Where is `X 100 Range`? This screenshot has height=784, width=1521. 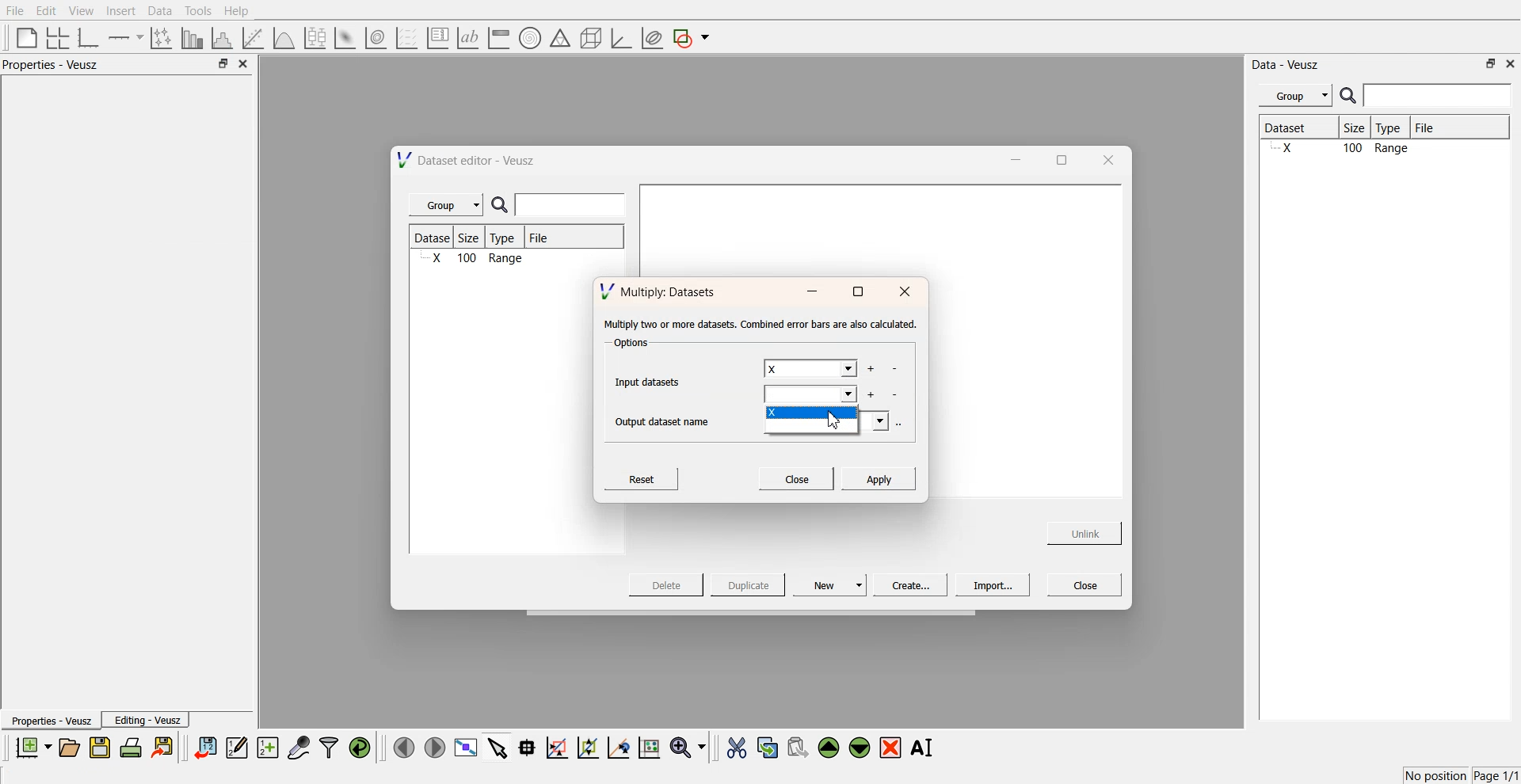
X 100 Range is located at coordinates (1382, 150).